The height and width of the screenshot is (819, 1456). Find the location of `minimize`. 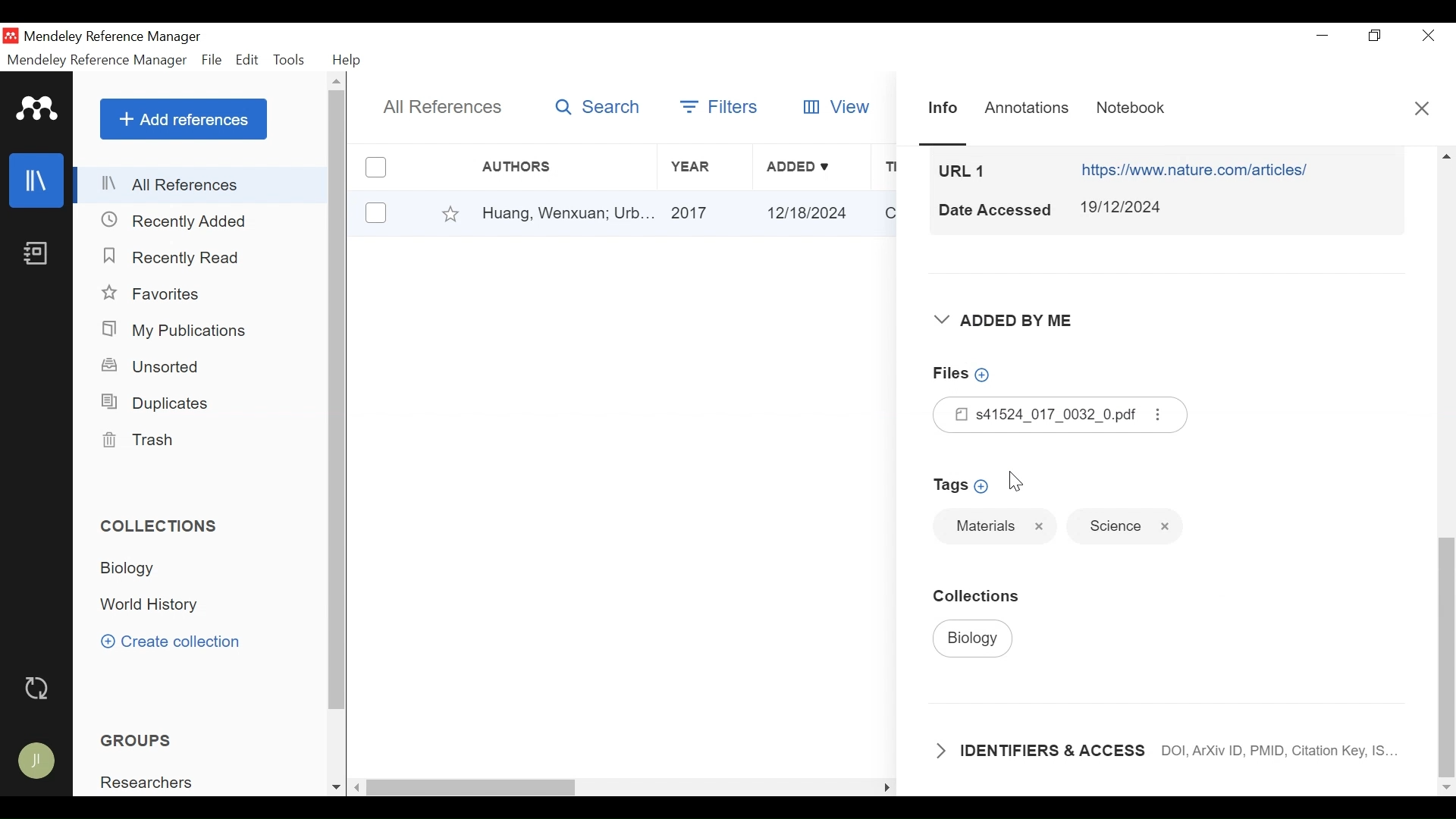

minimize is located at coordinates (1322, 35).